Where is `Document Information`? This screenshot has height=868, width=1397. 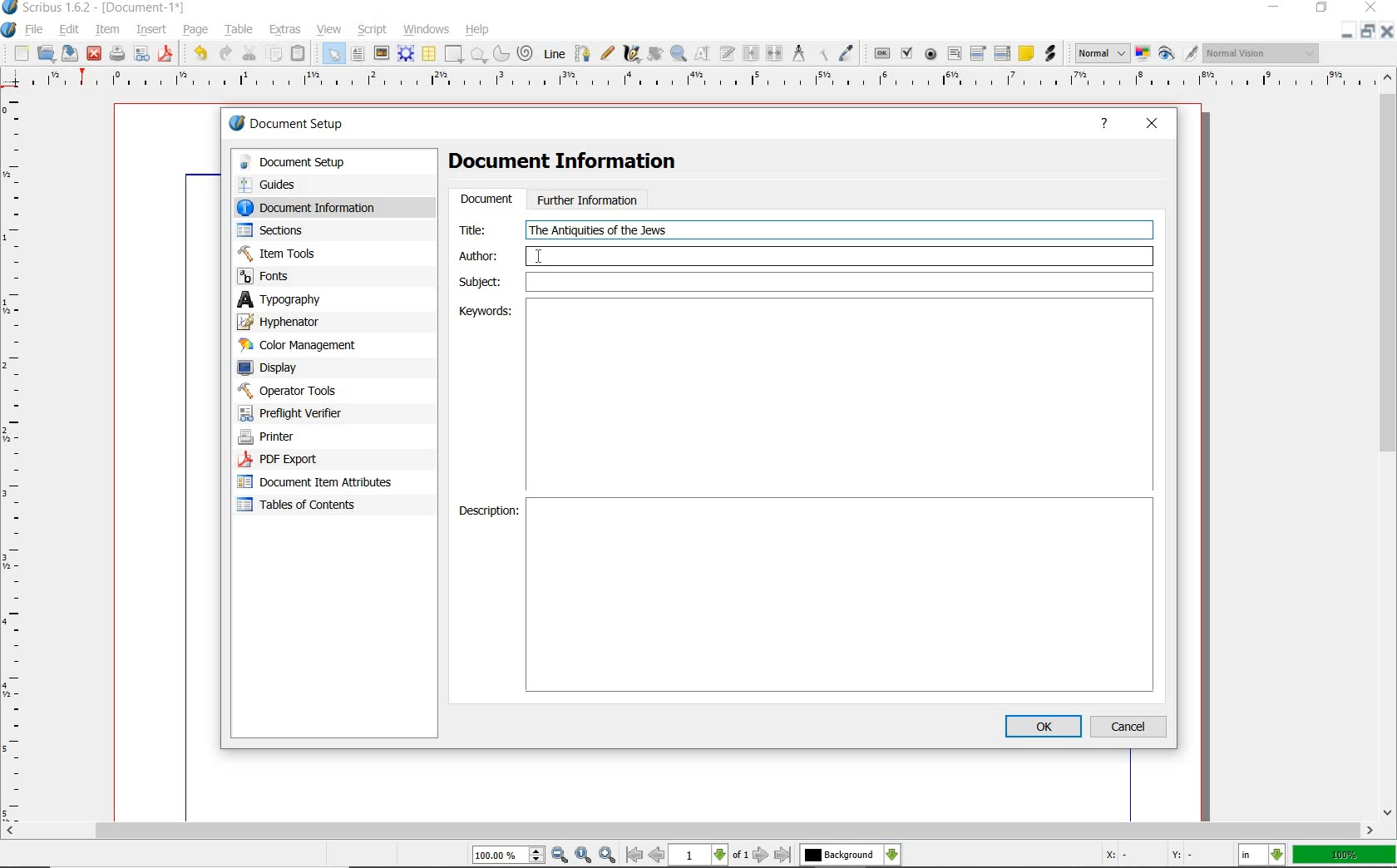
Document Information is located at coordinates (576, 164).